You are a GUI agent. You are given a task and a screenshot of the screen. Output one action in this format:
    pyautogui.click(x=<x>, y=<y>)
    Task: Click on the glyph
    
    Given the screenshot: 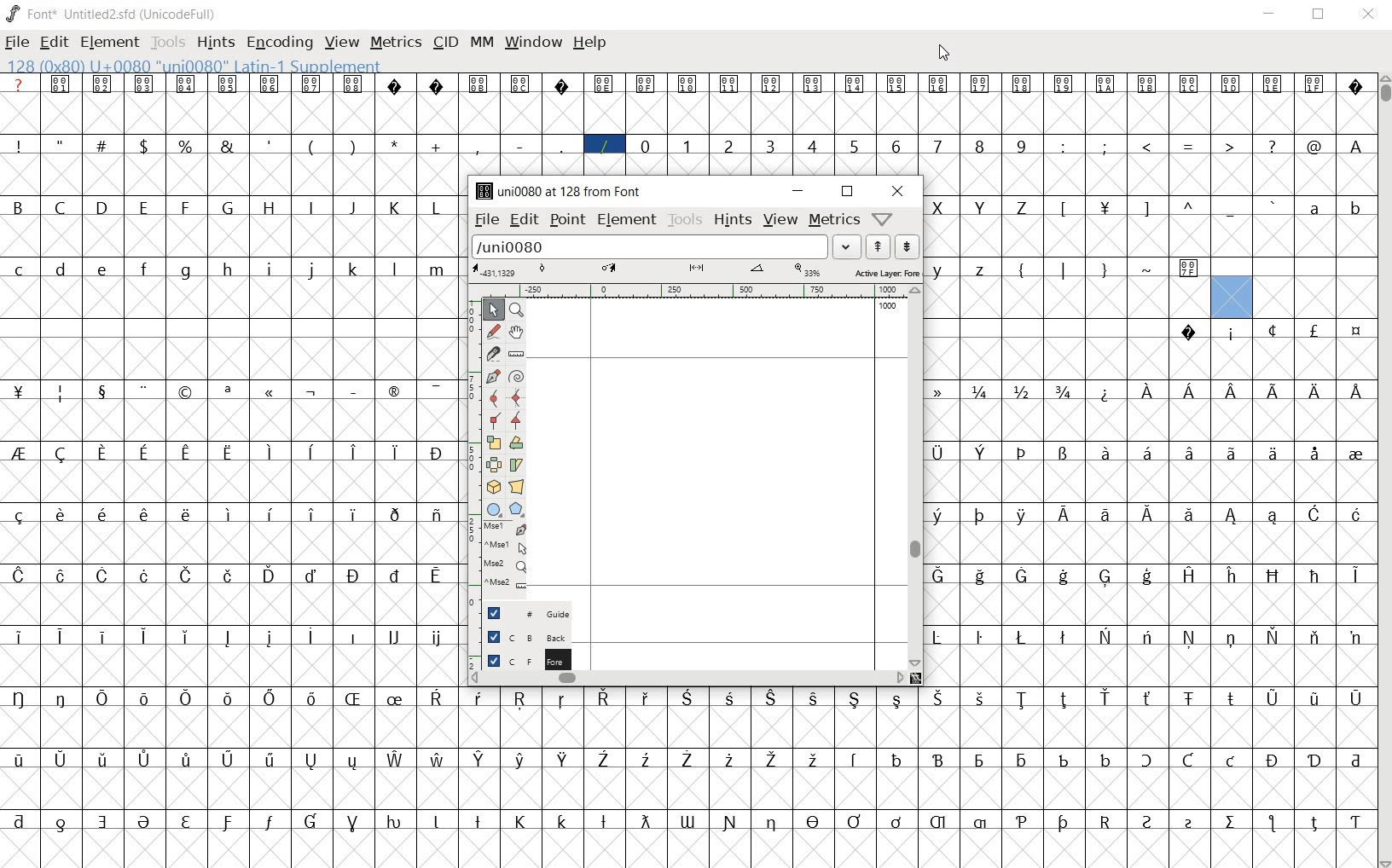 What is the action you would take?
    pyautogui.click(x=311, y=148)
    